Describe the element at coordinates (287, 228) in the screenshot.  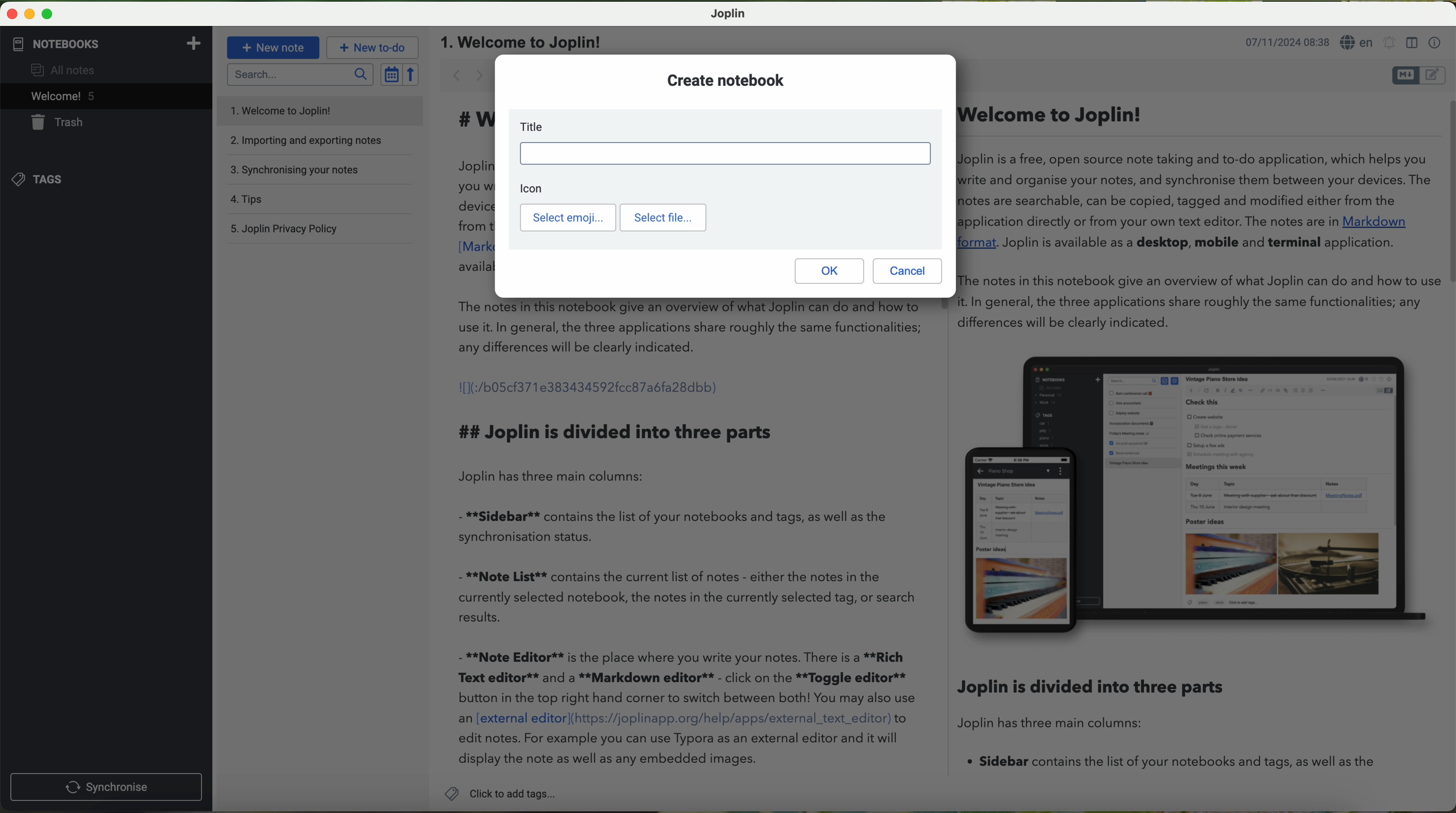
I see `Joplin privacy policy` at that location.